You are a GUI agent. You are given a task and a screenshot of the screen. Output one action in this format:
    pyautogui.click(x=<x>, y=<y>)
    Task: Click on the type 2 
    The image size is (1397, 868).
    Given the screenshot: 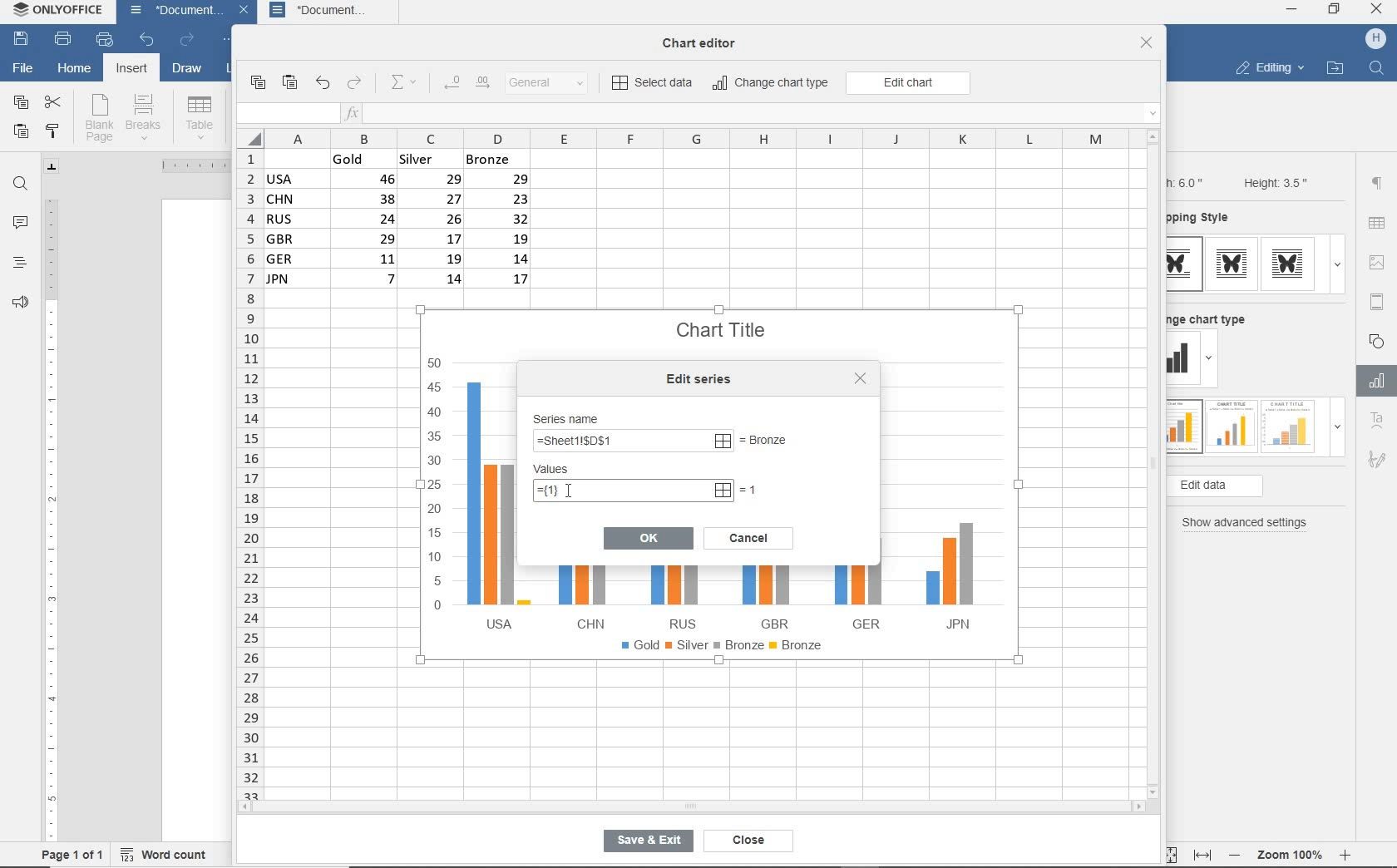 What is the action you would take?
    pyautogui.click(x=1229, y=425)
    